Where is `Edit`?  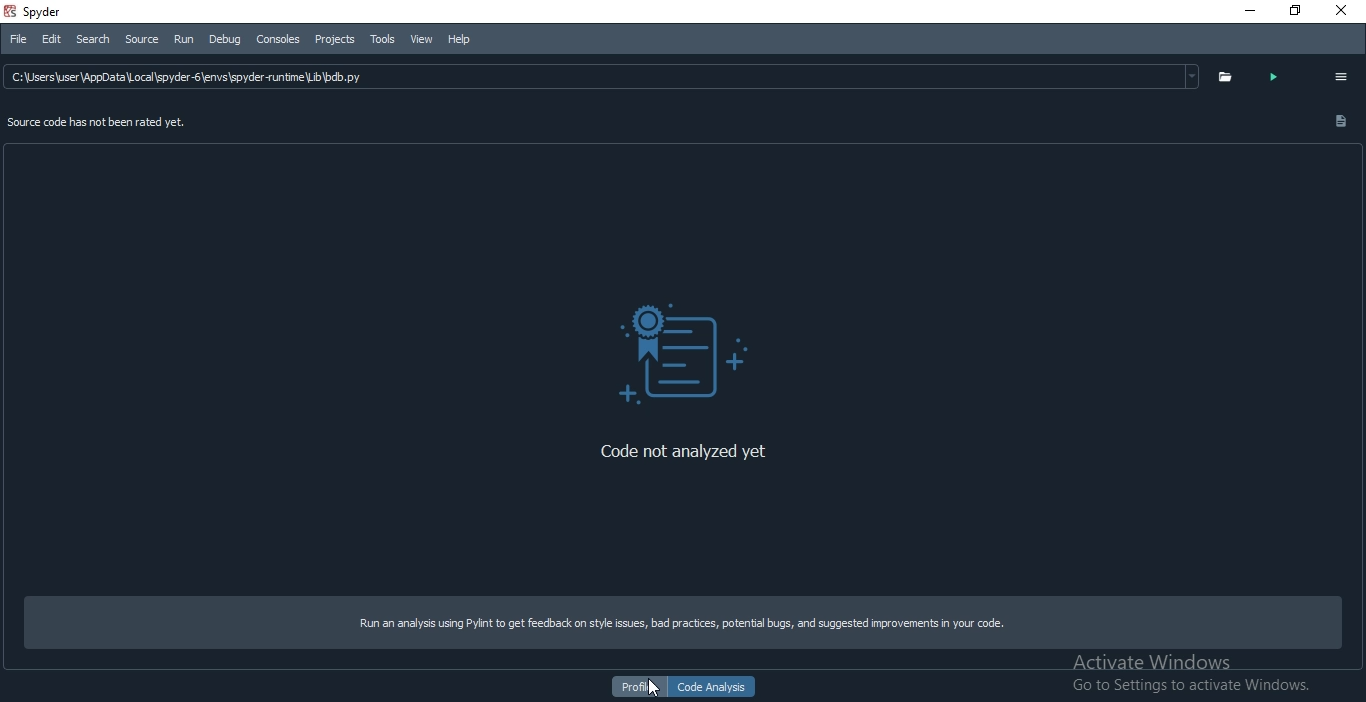 Edit is located at coordinates (48, 39).